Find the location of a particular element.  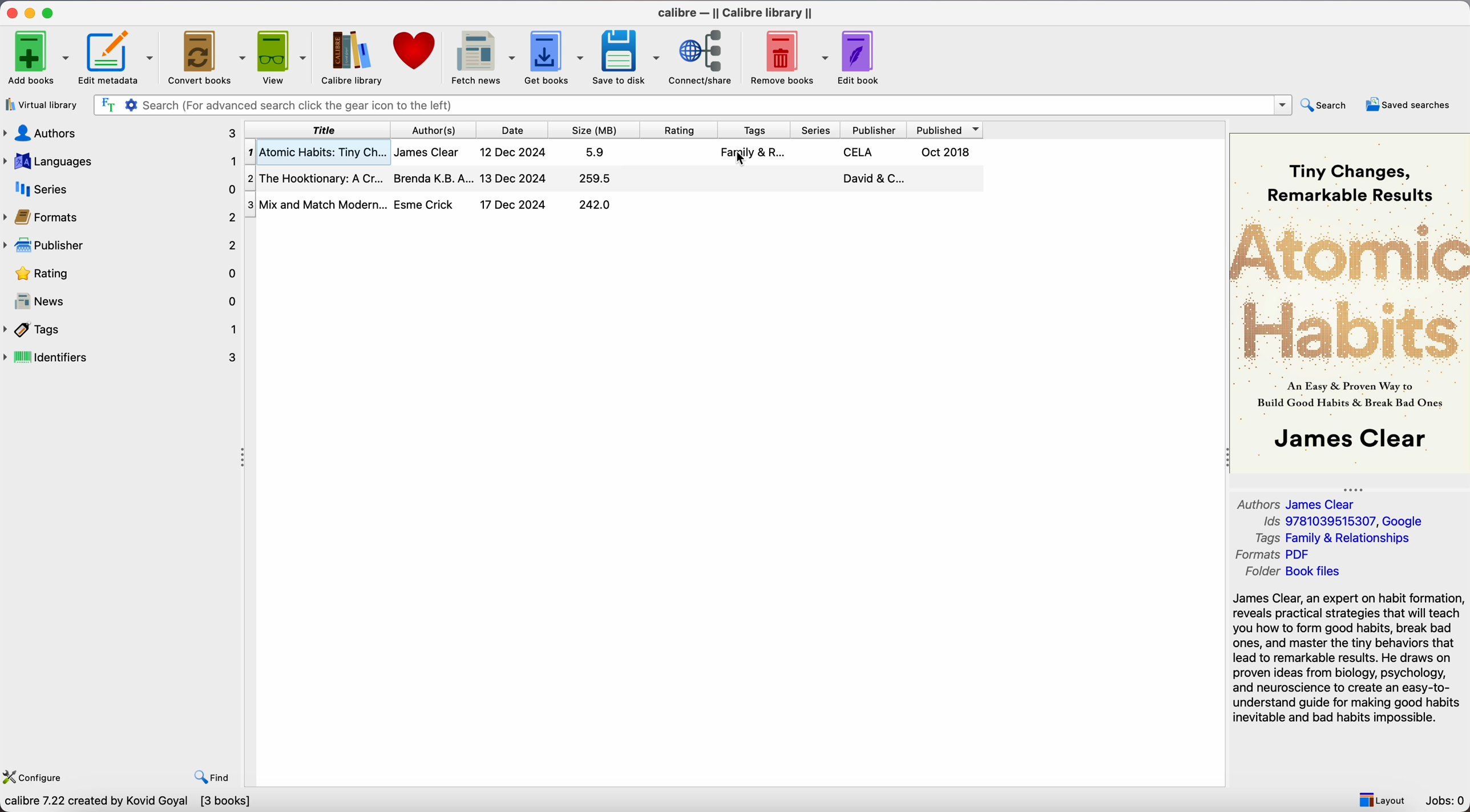

view is located at coordinates (282, 57).